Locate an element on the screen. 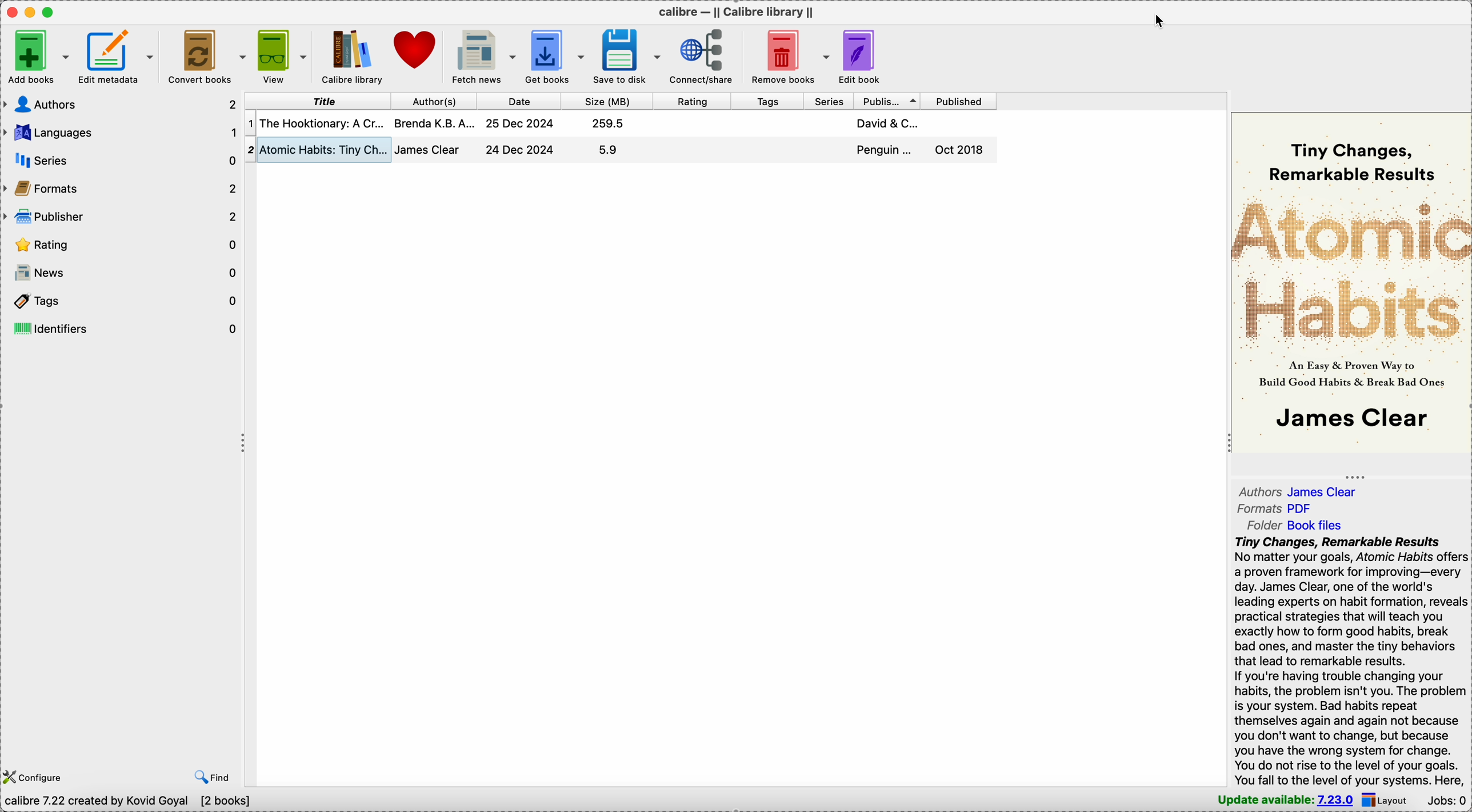  david & C... is located at coordinates (885, 123).